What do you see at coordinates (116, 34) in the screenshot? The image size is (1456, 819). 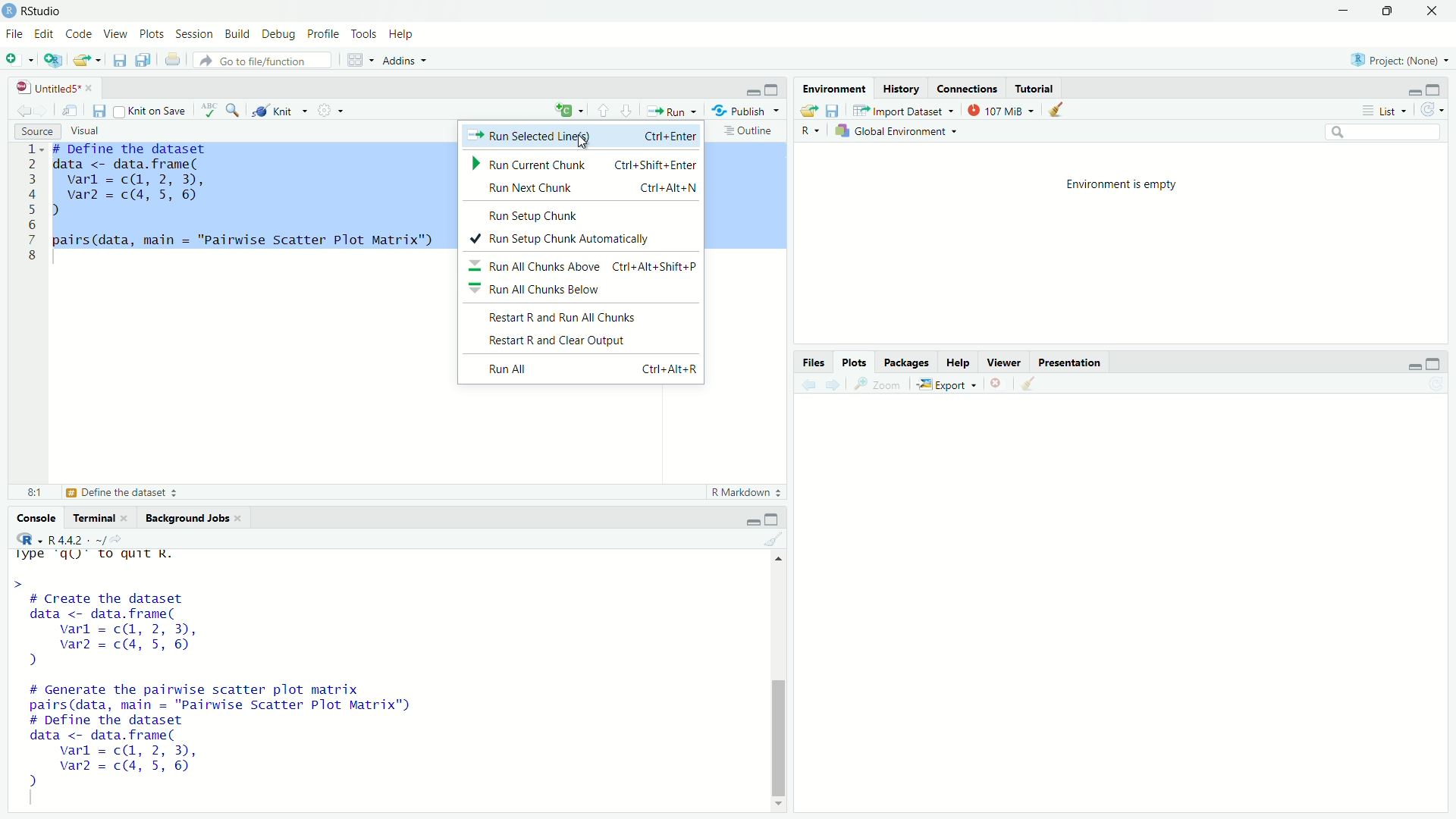 I see `View` at bounding box center [116, 34].